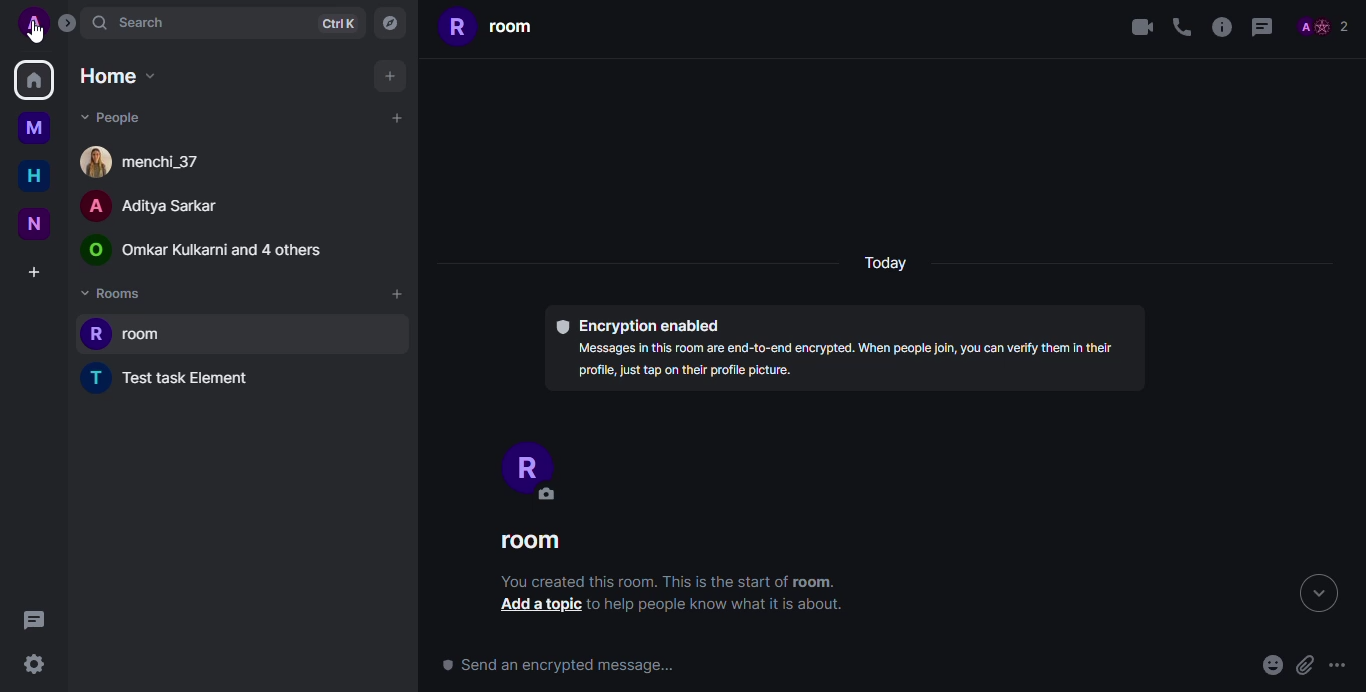  Describe the element at coordinates (1312, 593) in the screenshot. I see `expand` at that location.